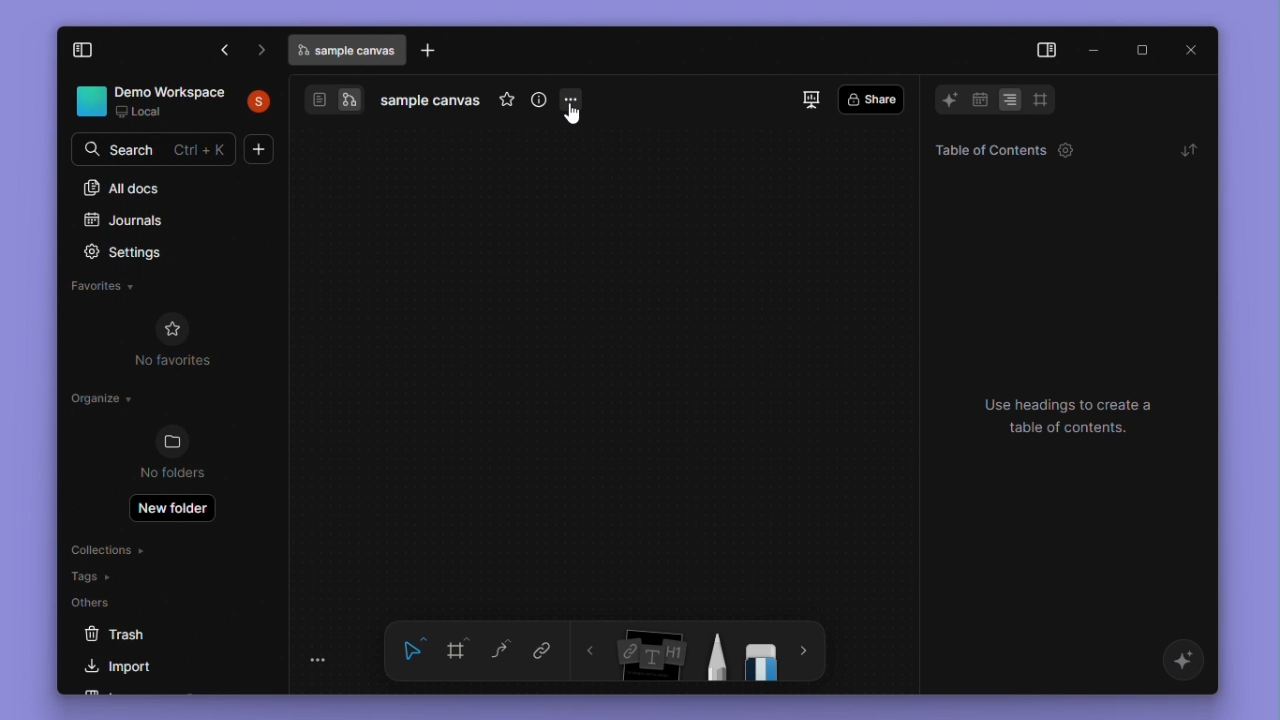 The height and width of the screenshot is (720, 1280). I want to click on Place name and details, so click(177, 102).